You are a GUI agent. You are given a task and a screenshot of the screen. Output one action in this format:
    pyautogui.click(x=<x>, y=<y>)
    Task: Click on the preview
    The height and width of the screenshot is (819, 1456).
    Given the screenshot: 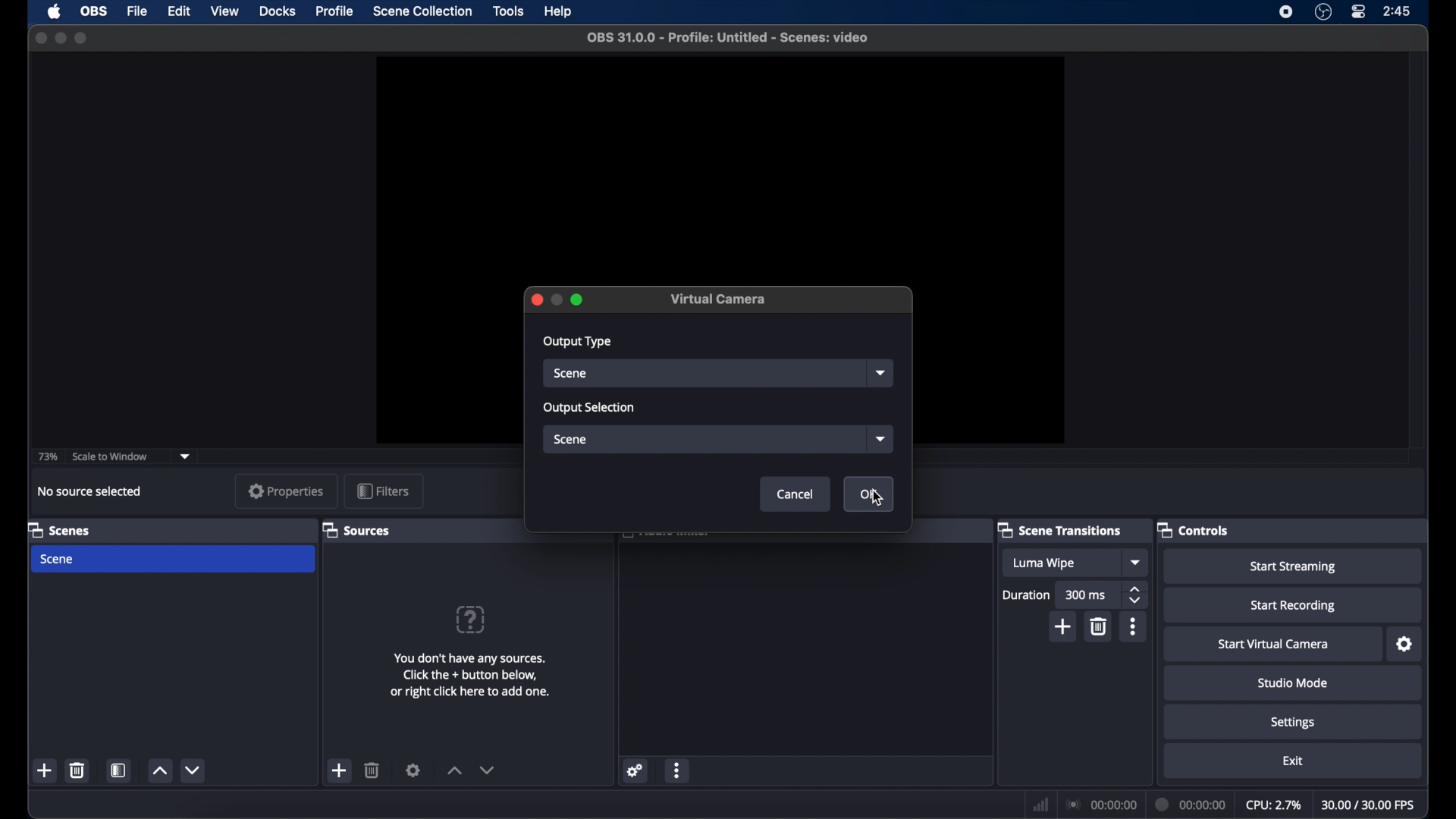 What is the action you would take?
    pyautogui.click(x=720, y=167)
    